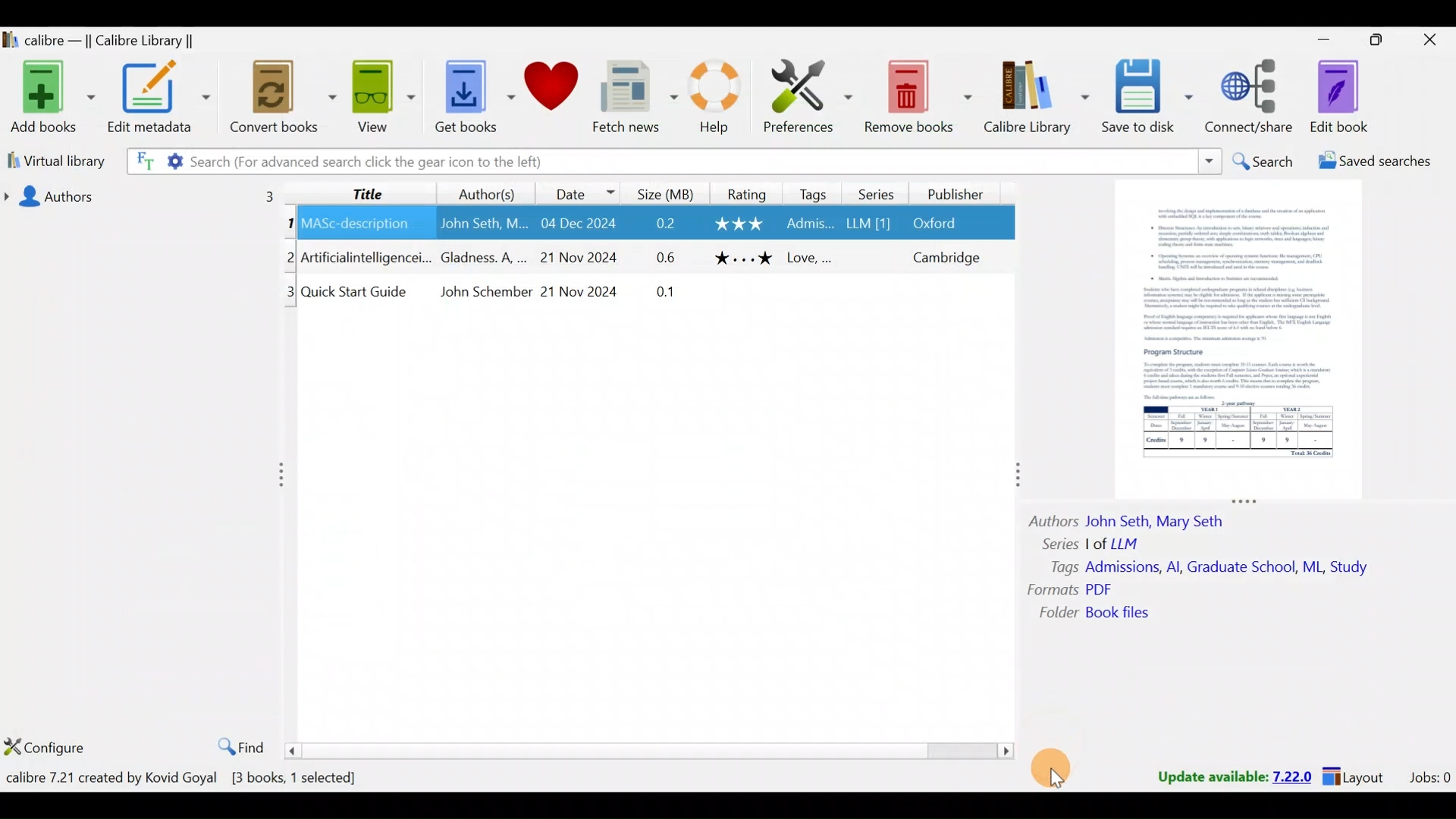 The height and width of the screenshot is (819, 1456). Describe the element at coordinates (363, 224) in the screenshot. I see `` at that location.